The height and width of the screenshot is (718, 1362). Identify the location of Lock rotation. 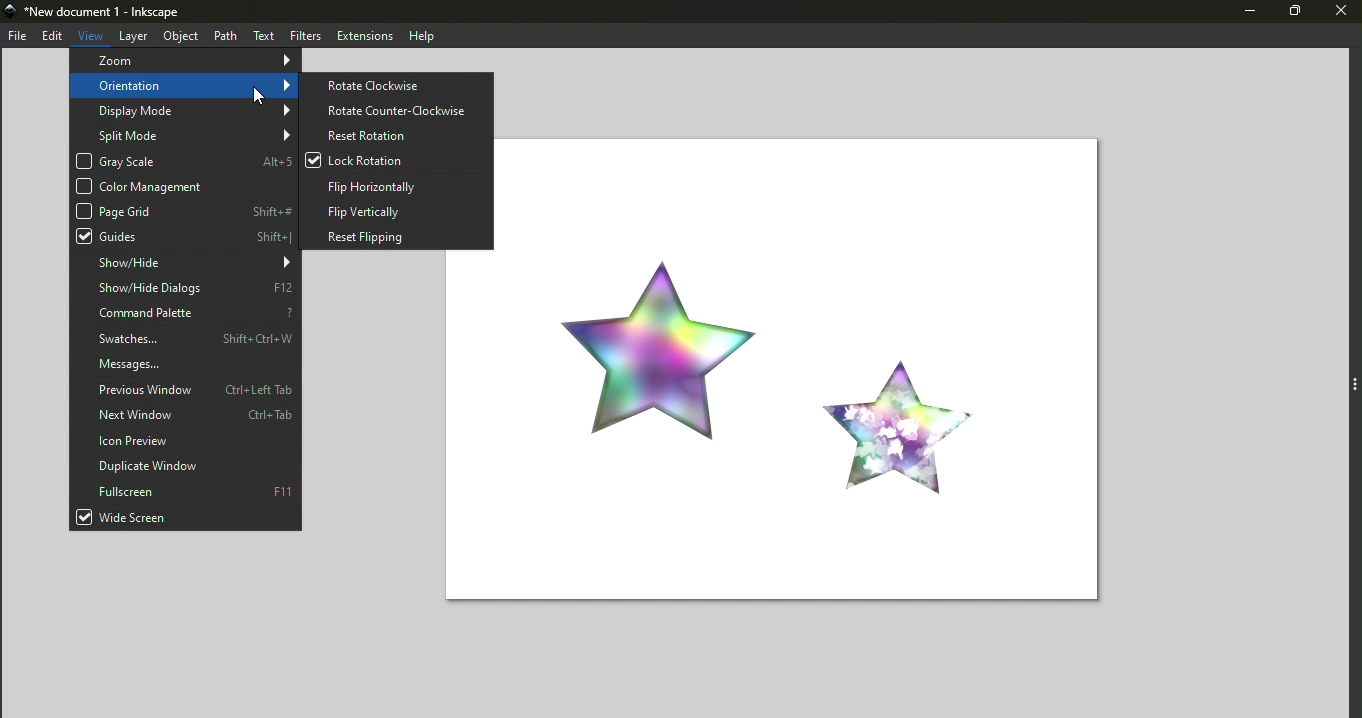
(399, 161).